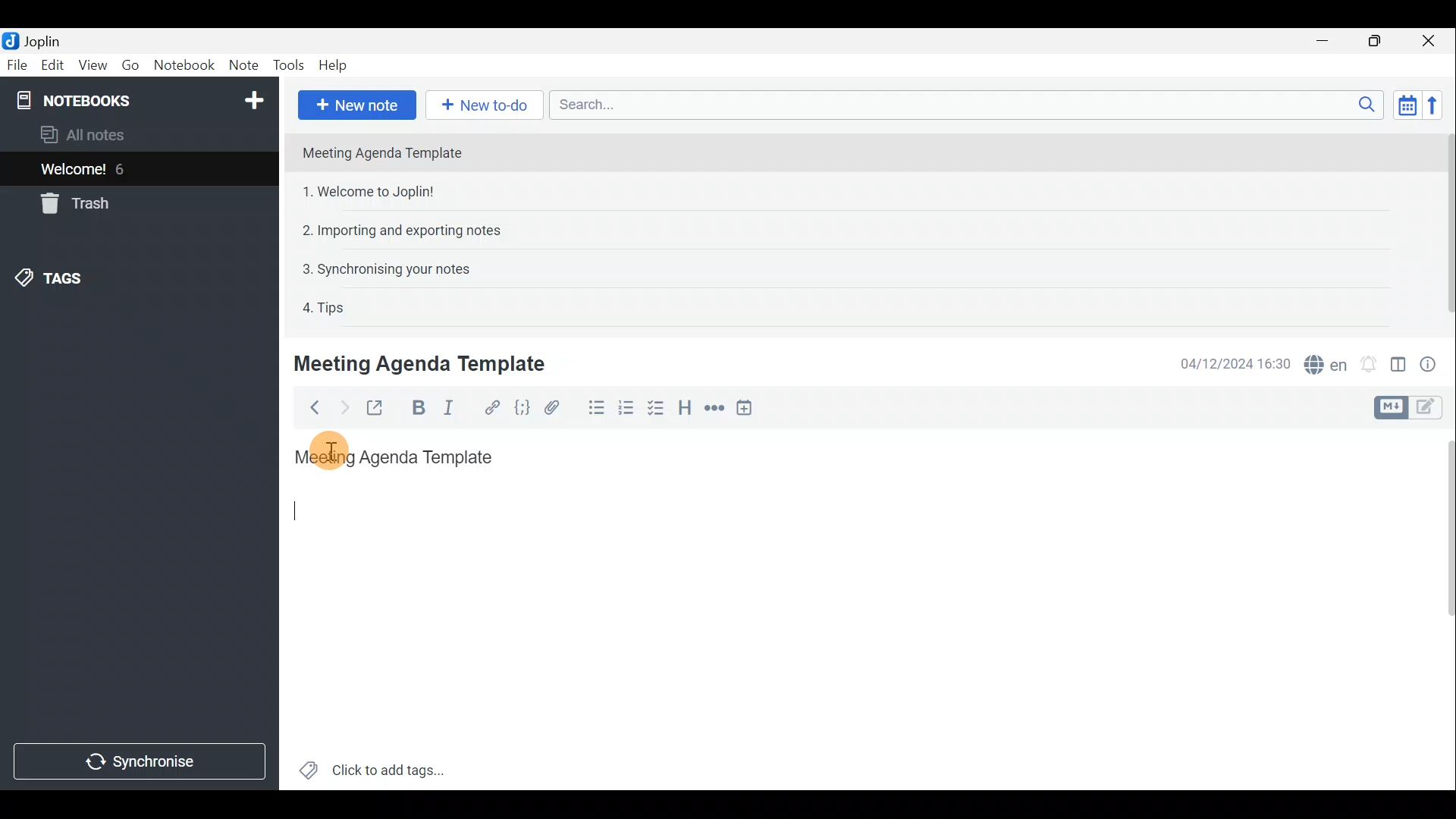  Describe the element at coordinates (124, 169) in the screenshot. I see `6` at that location.